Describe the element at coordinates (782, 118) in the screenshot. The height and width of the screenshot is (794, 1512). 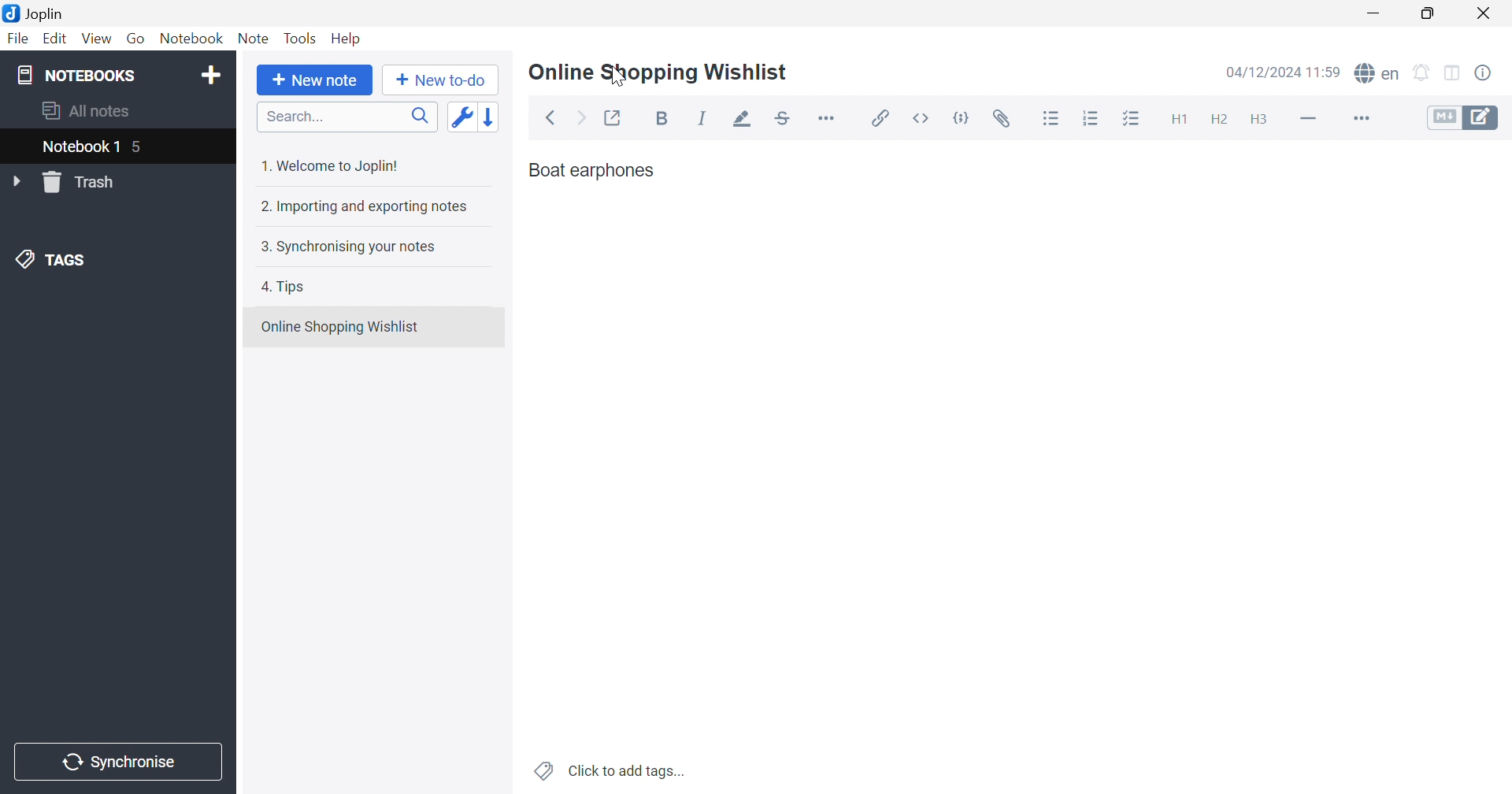
I see `Strikethrough` at that location.